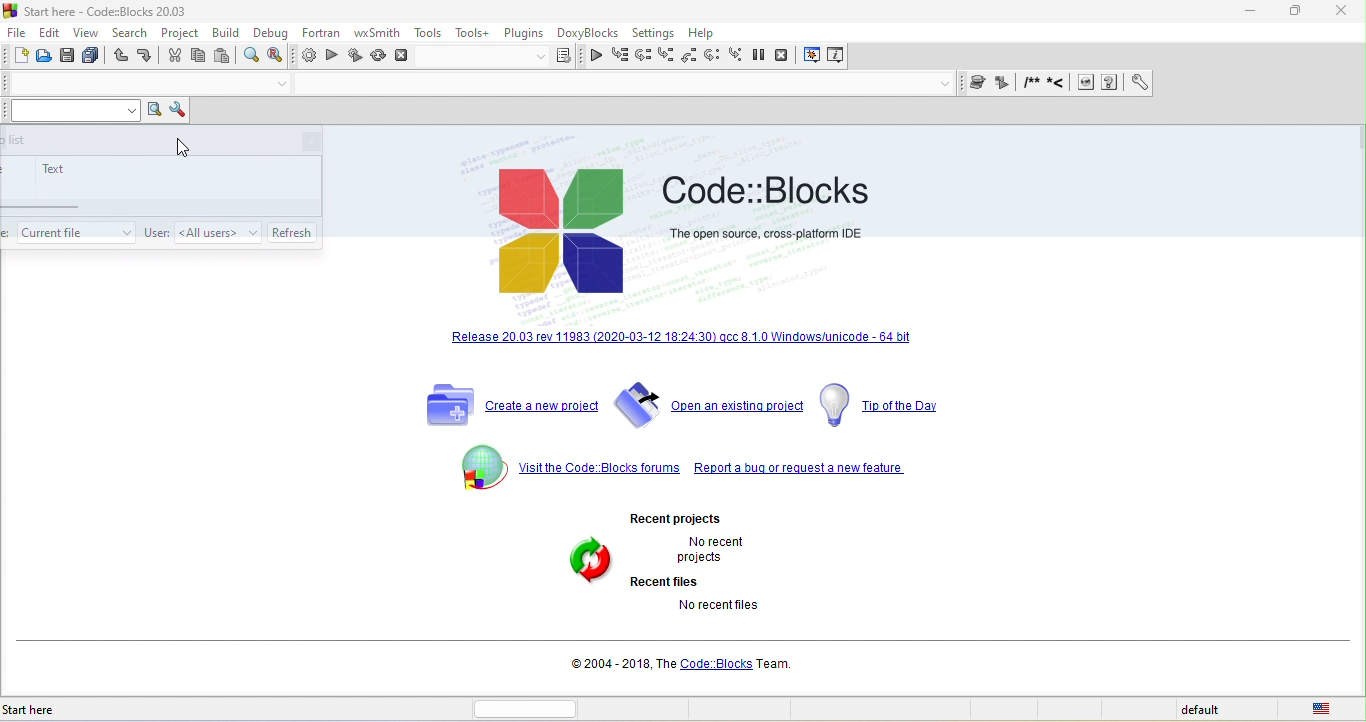 This screenshot has width=1366, height=722. I want to click on close, so click(1340, 12).